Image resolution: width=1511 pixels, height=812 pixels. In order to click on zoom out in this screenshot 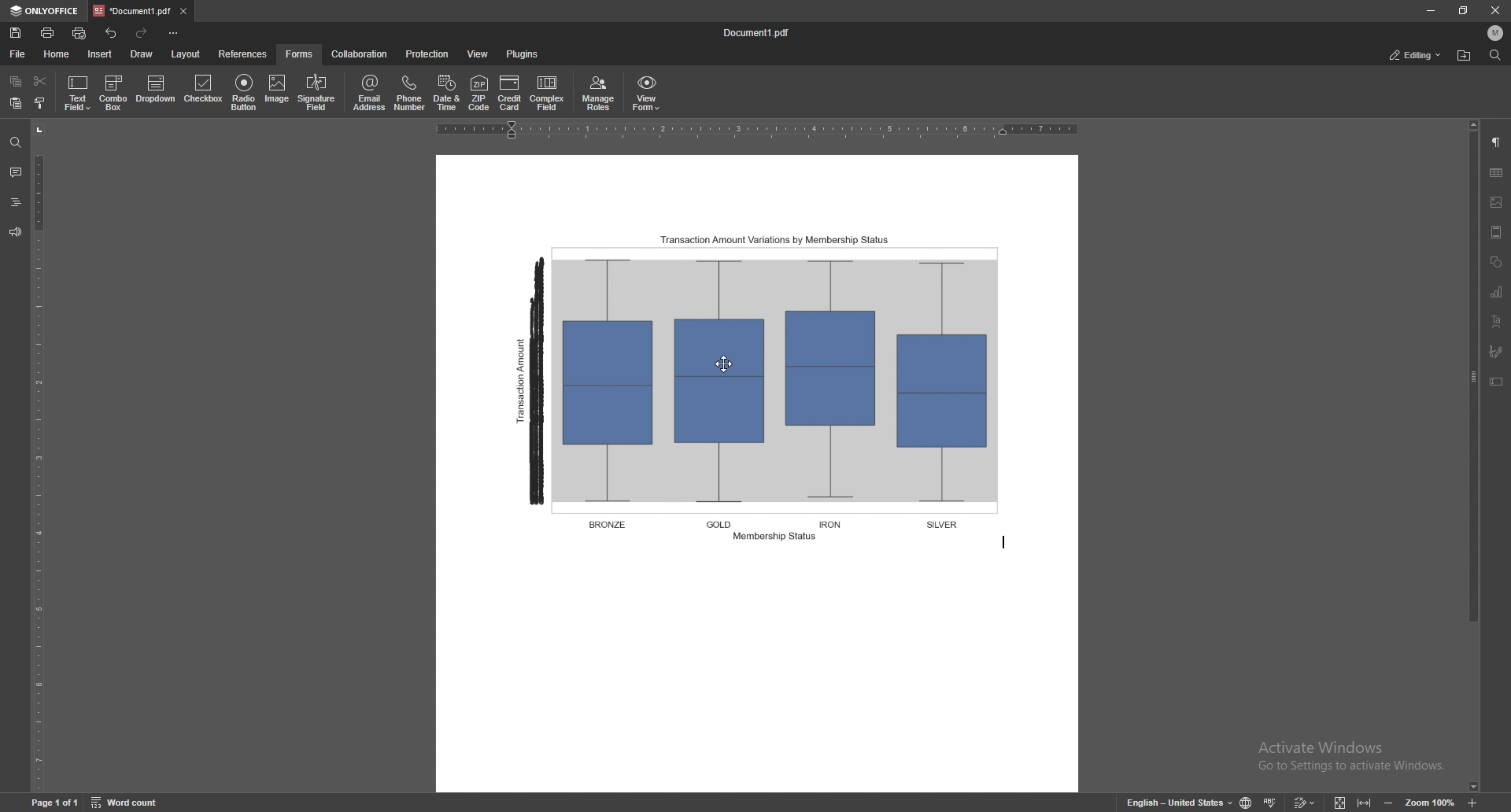, I will do `click(1389, 801)`.